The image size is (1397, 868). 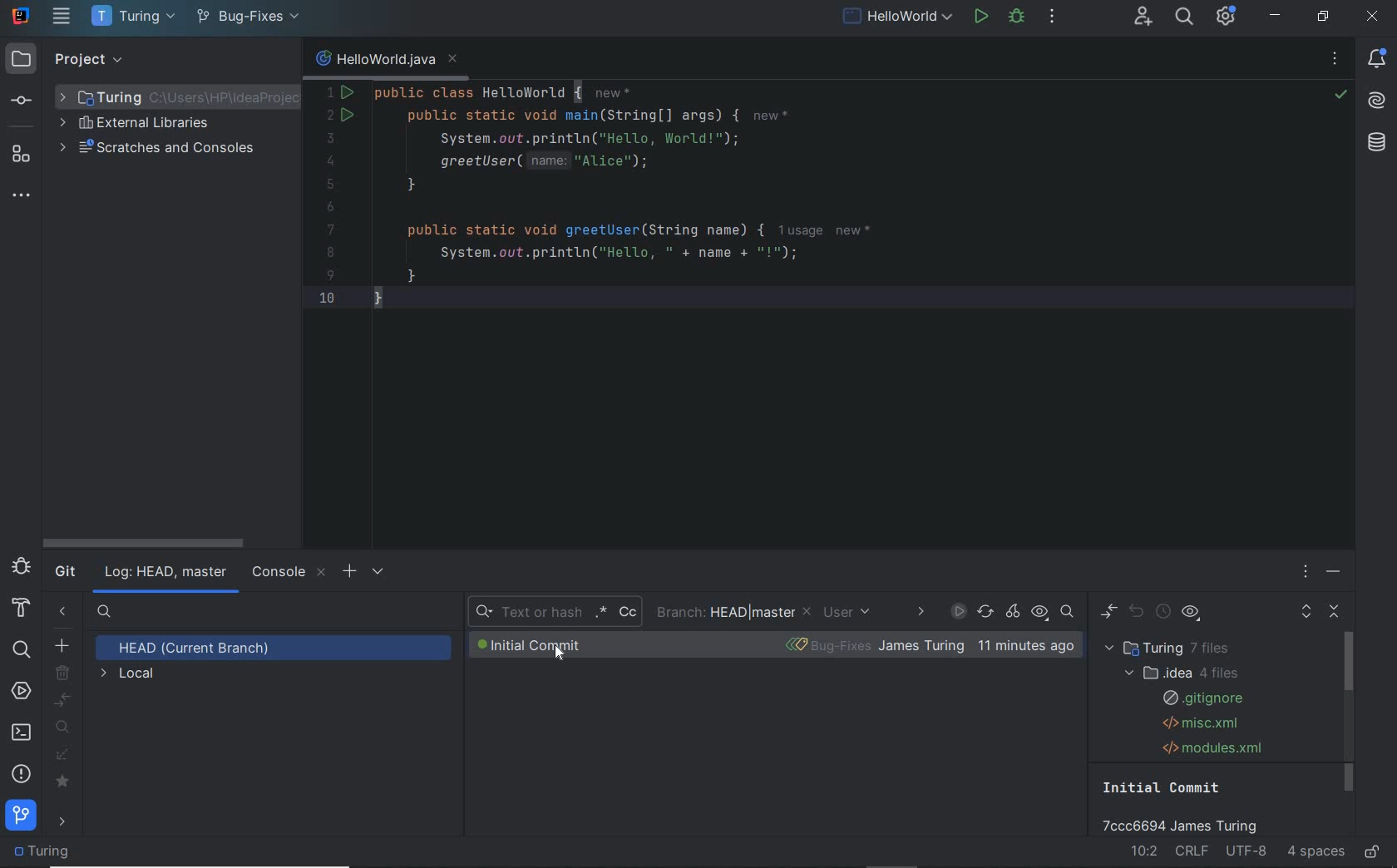 What do you see at coordinates (143, 124) in the screenshot?
I see `external libraries` at bounding box center [143, 124].